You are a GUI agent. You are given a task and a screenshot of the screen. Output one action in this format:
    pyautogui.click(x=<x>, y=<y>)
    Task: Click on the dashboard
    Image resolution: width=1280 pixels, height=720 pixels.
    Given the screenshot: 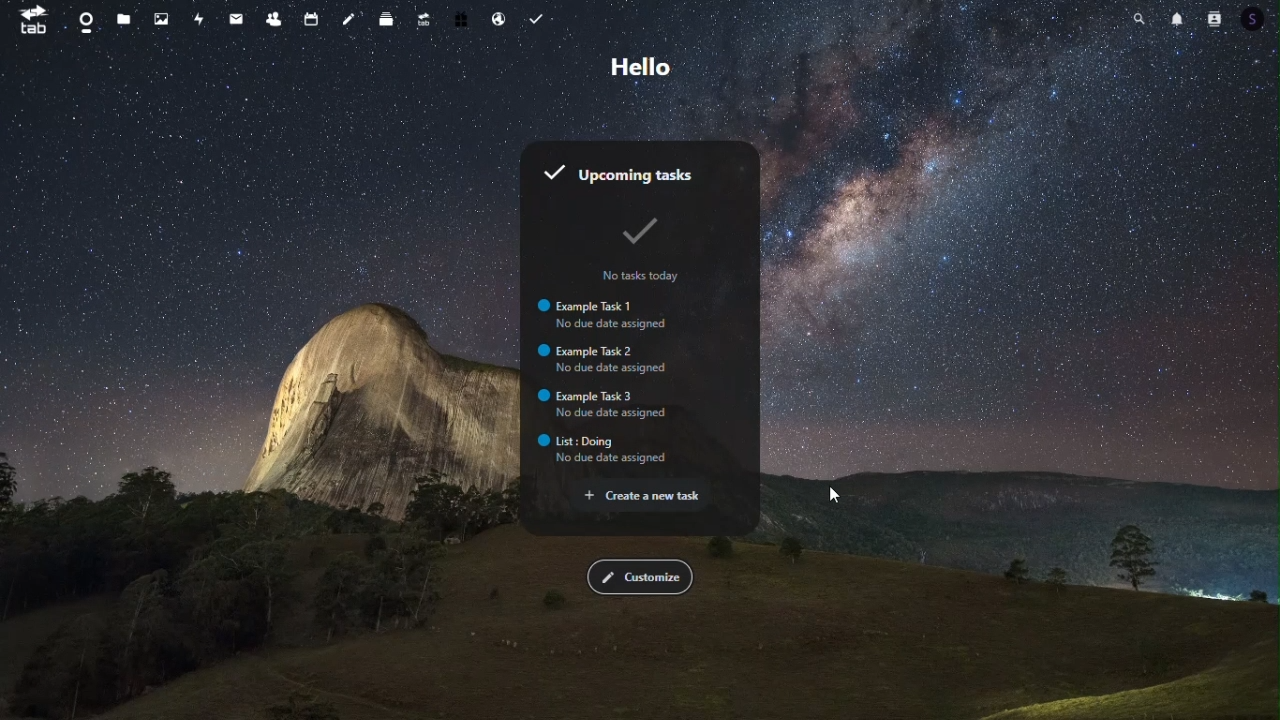 What is the action you would take?
    pyautogui.click(x=83, y=26)
    